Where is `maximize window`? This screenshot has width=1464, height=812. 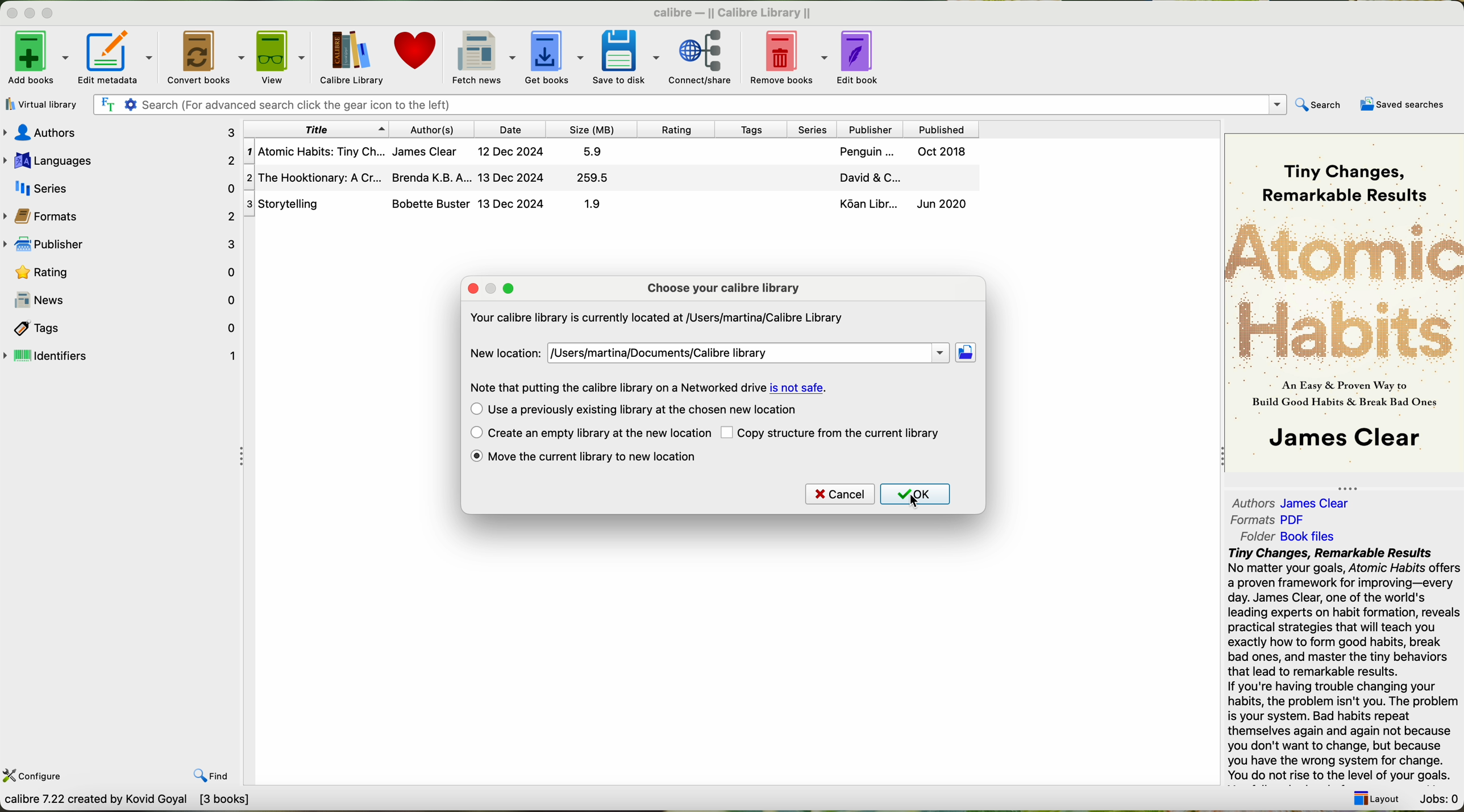
maximize window is located at coordinates (510, 288).